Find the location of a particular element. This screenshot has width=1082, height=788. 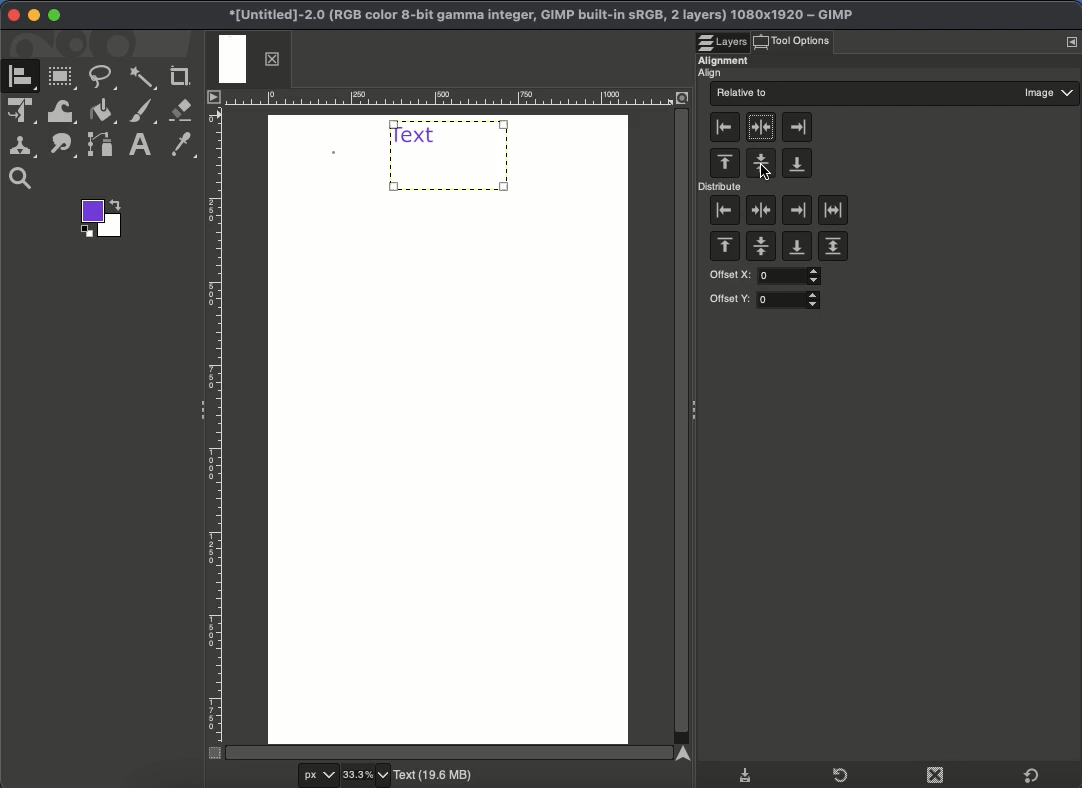

Align to the bottom is located at coordinates (795, 164).